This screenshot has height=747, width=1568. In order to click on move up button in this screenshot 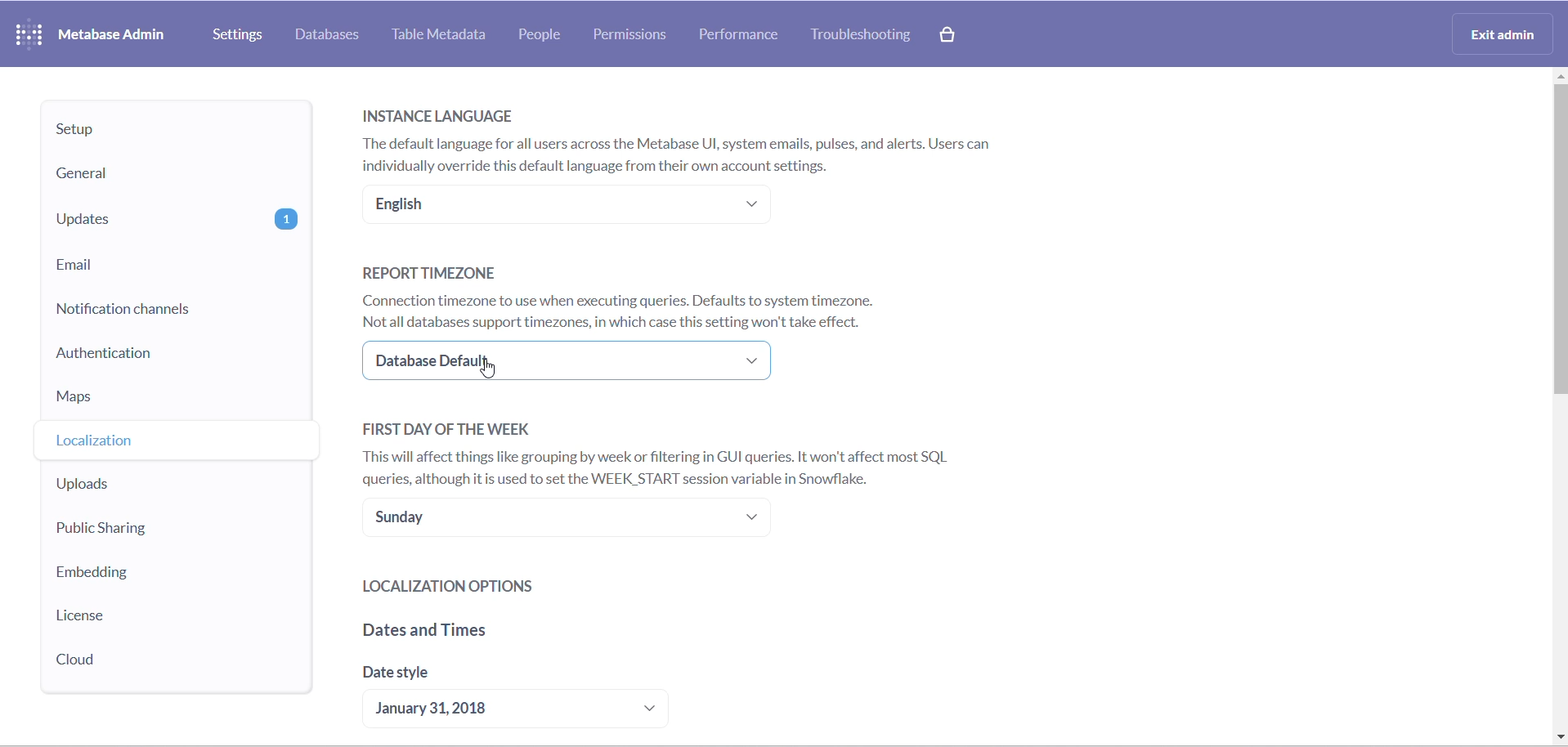, I will do `click(1558, 79)`.